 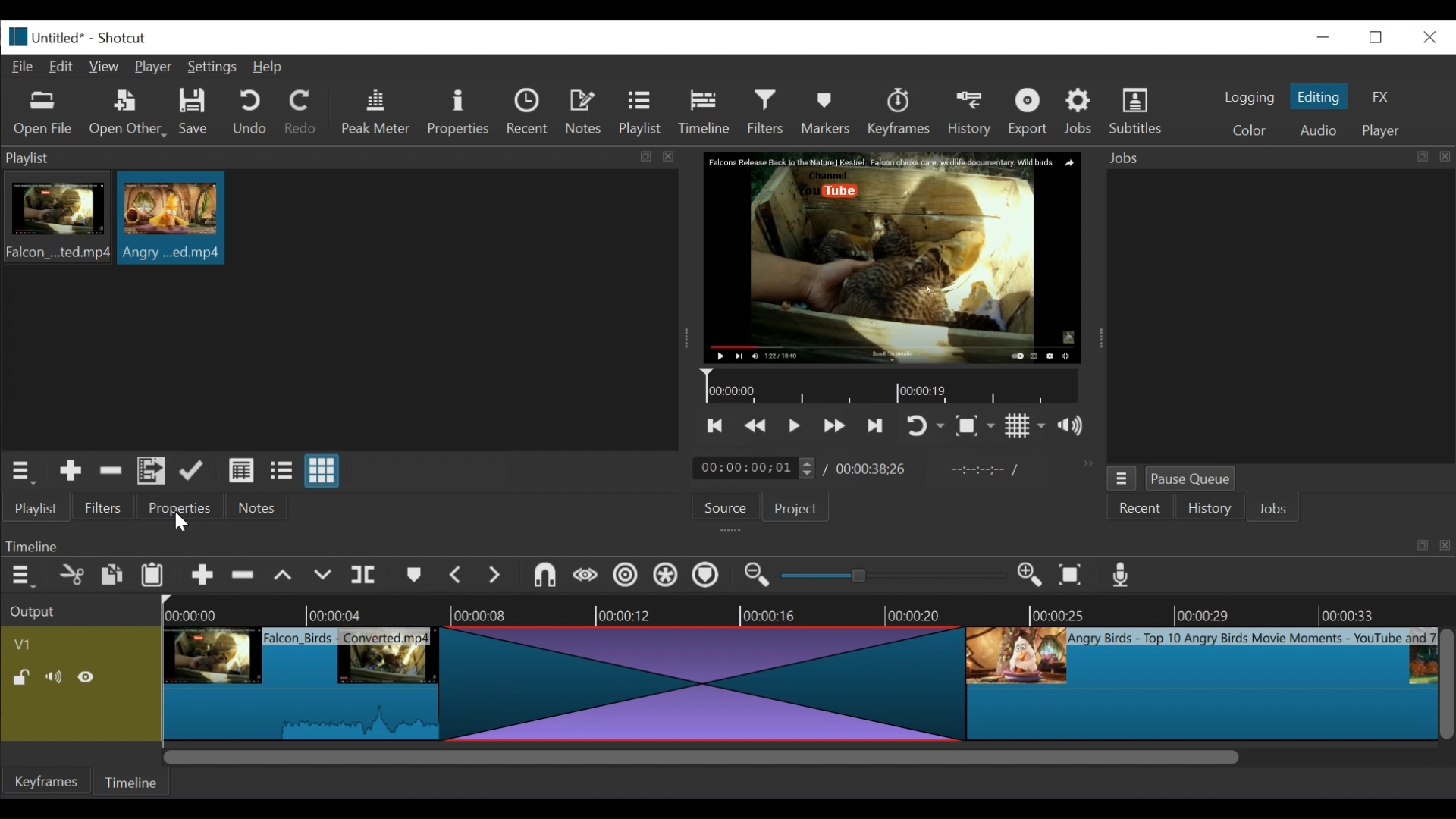 I want to click on update, so click(x=195, y=474).